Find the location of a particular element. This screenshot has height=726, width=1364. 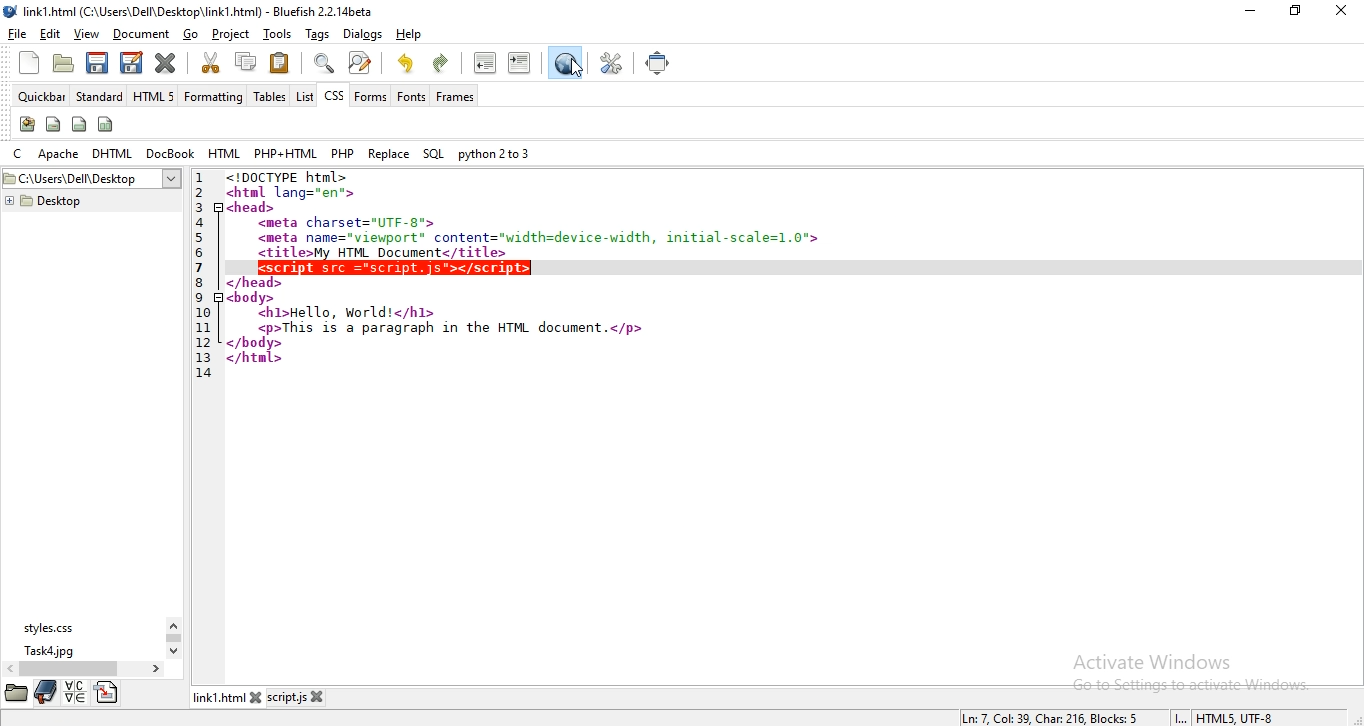

3 is located at coordinates (201, 208).